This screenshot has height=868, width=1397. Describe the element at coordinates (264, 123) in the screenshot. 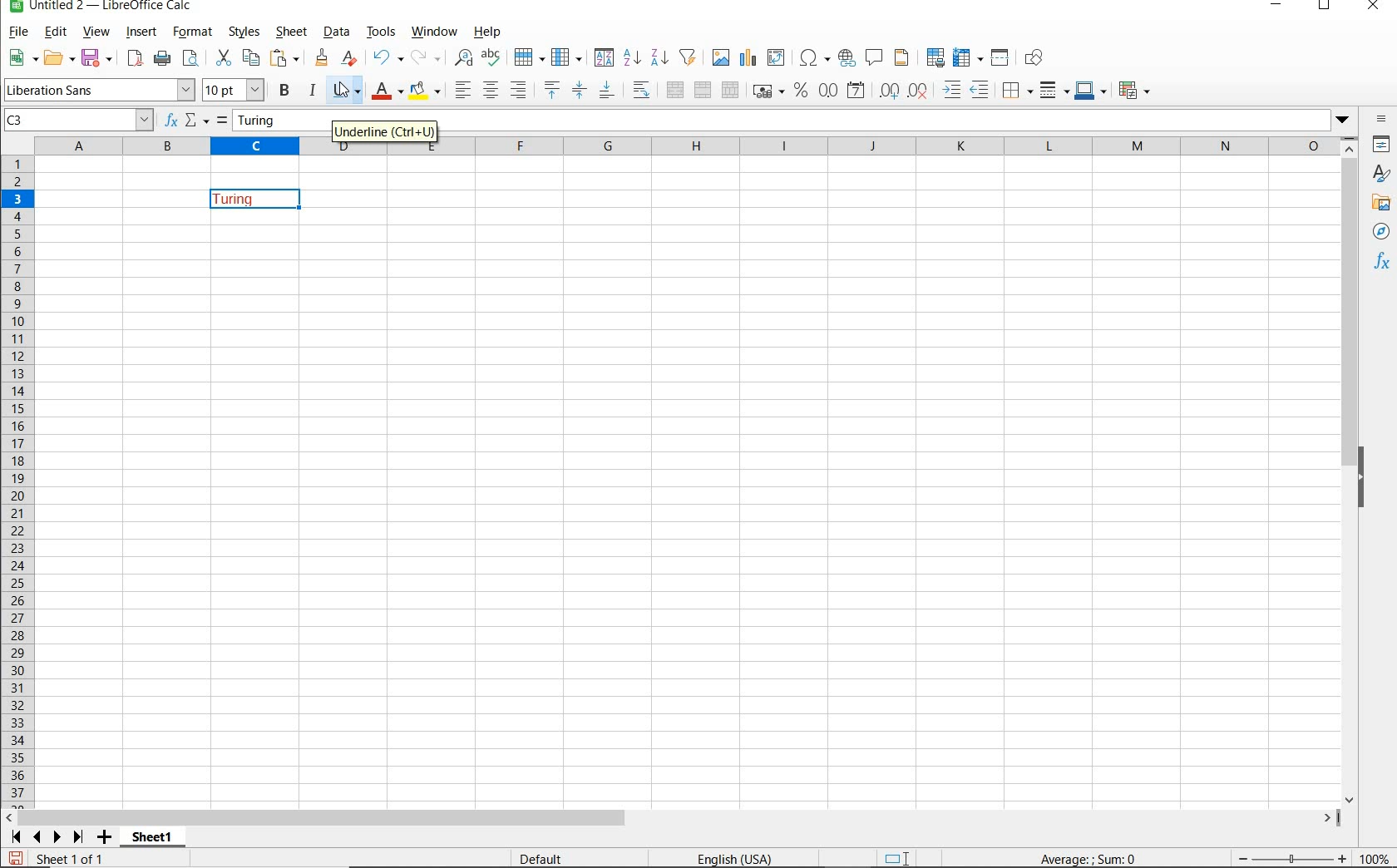

I see `Turing` at that location.